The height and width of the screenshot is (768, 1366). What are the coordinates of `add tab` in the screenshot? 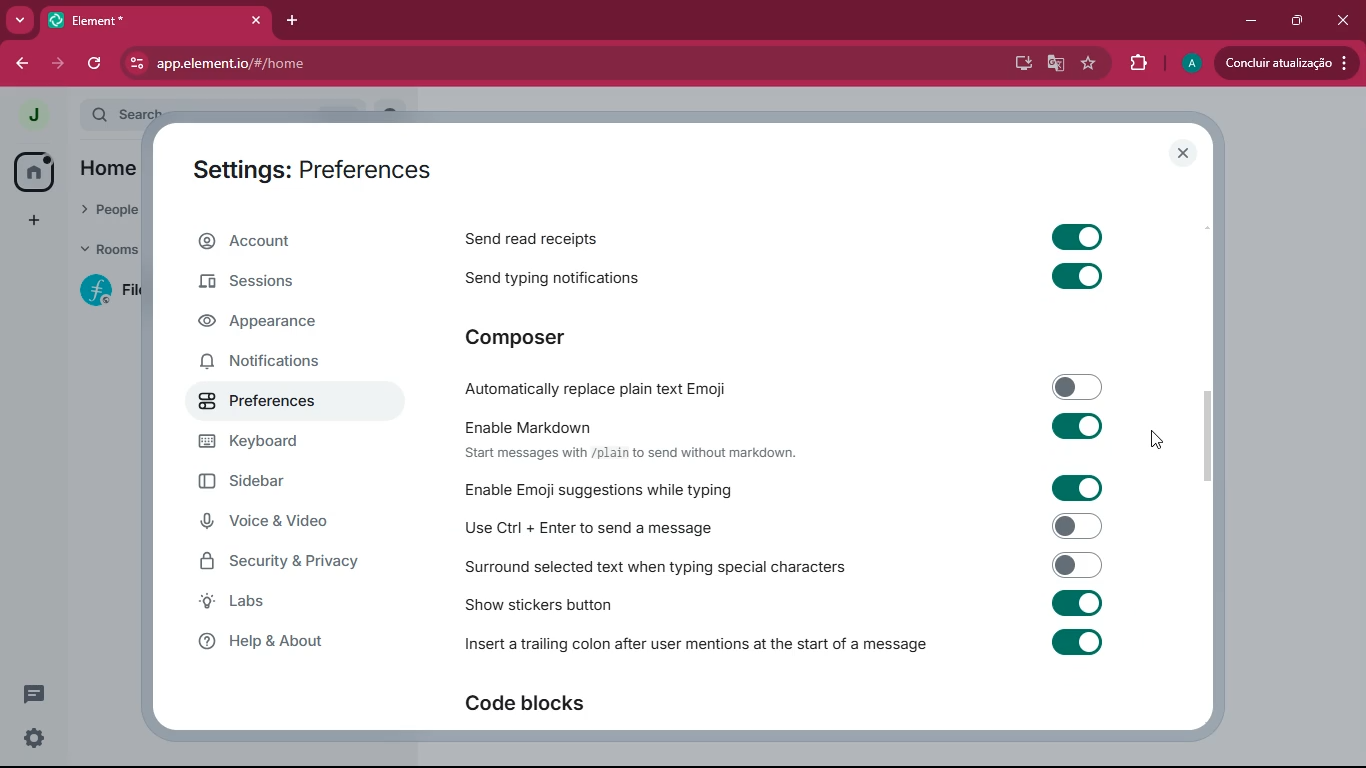 It's located at (294, 21).